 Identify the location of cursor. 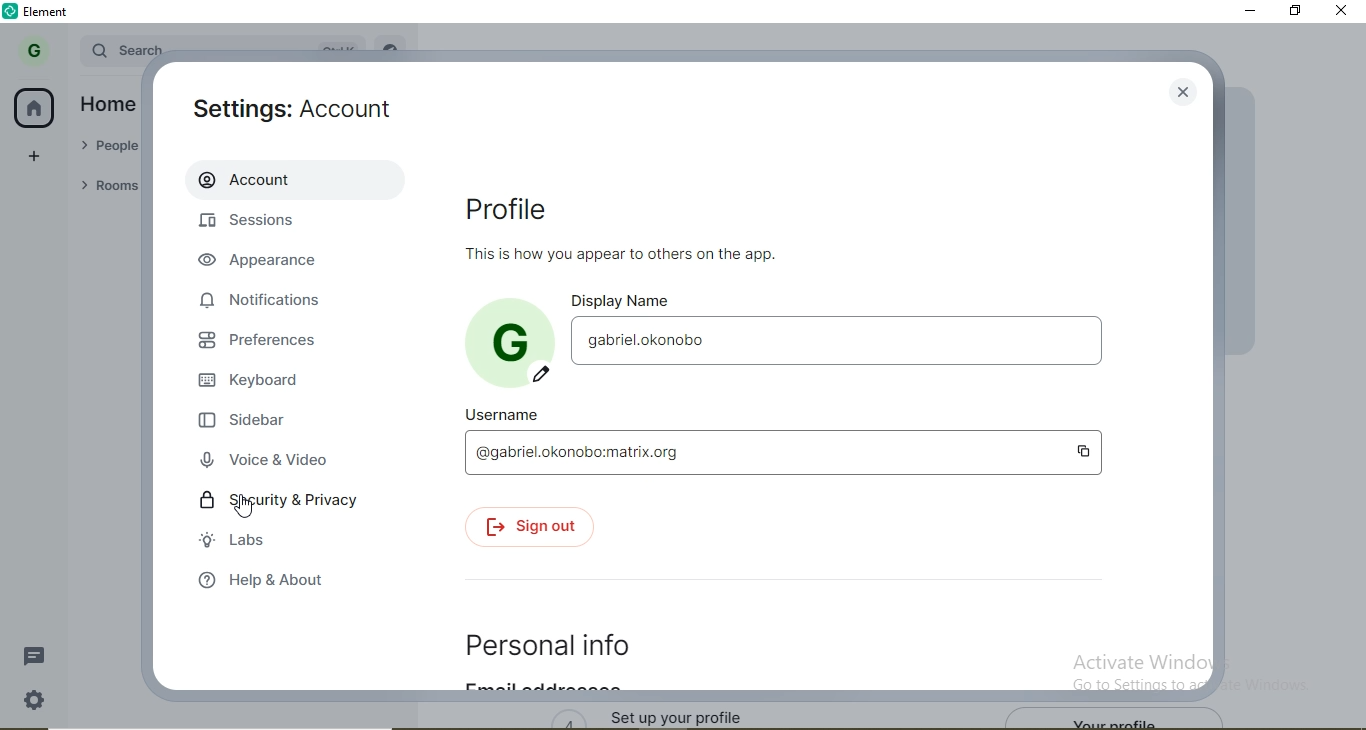
(246, 508).